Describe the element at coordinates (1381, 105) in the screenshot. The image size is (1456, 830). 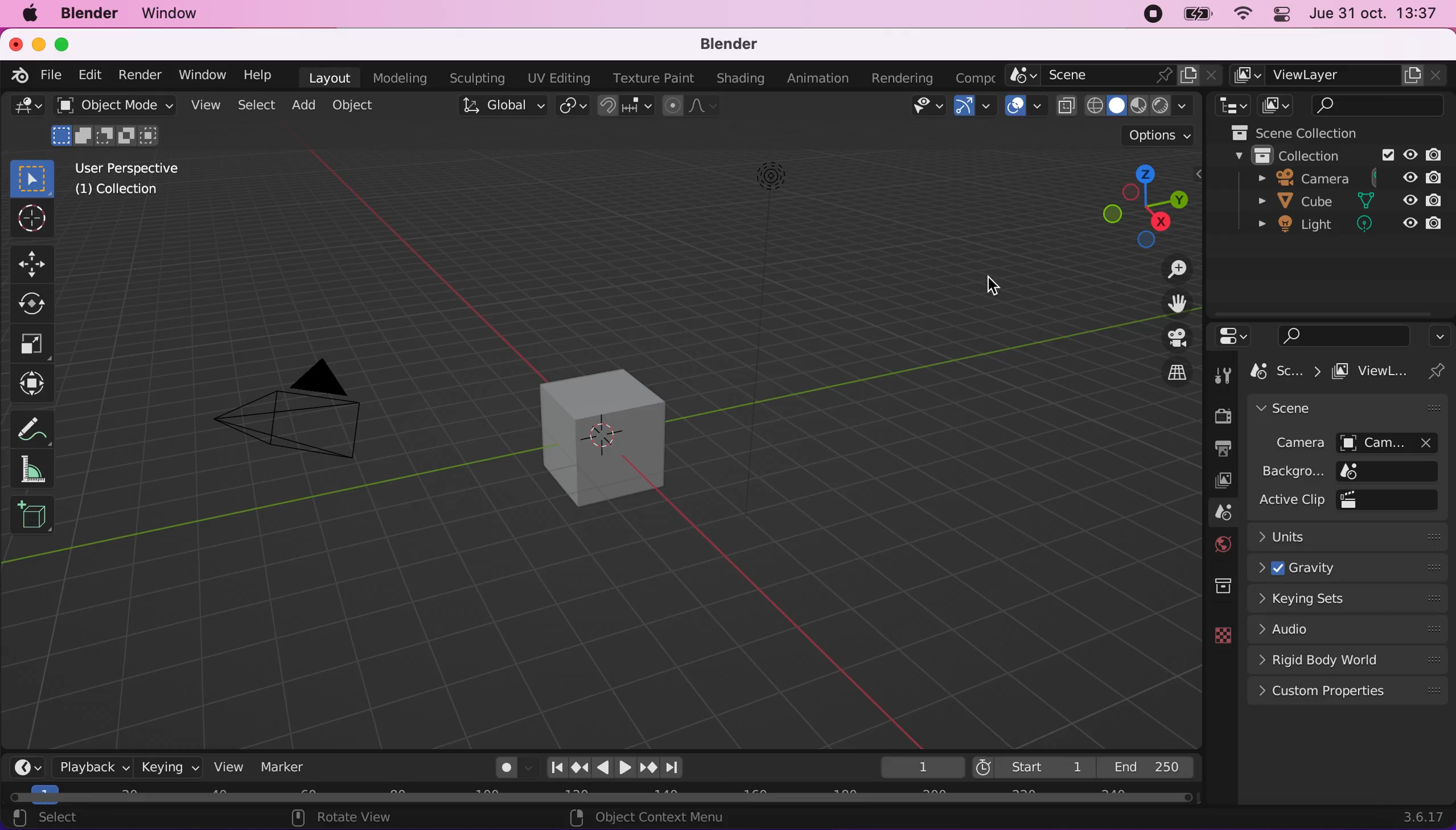
I see `search` at that location.